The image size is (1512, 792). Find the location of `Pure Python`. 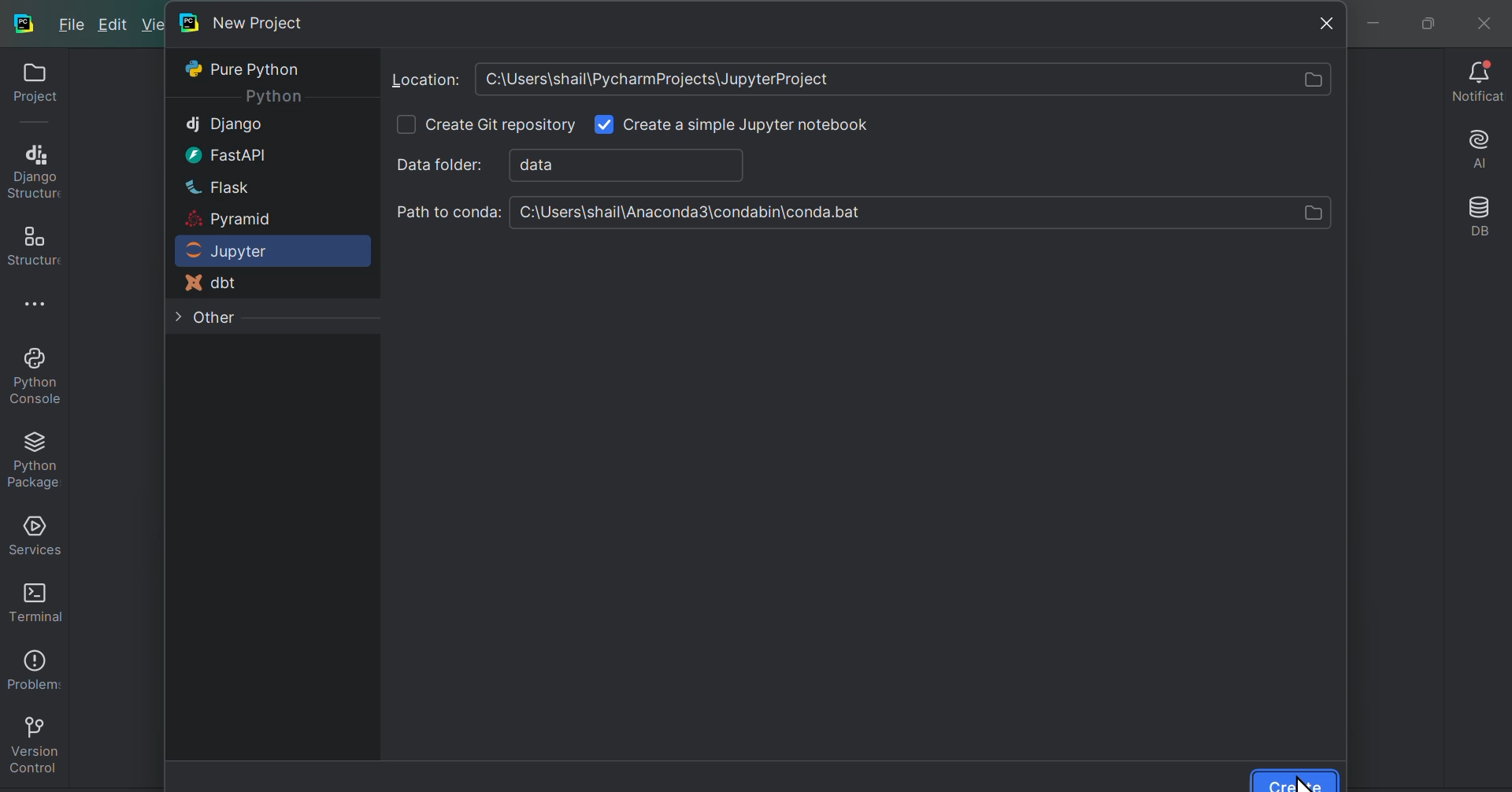

Pure Python is located at coordinates (248, 72).